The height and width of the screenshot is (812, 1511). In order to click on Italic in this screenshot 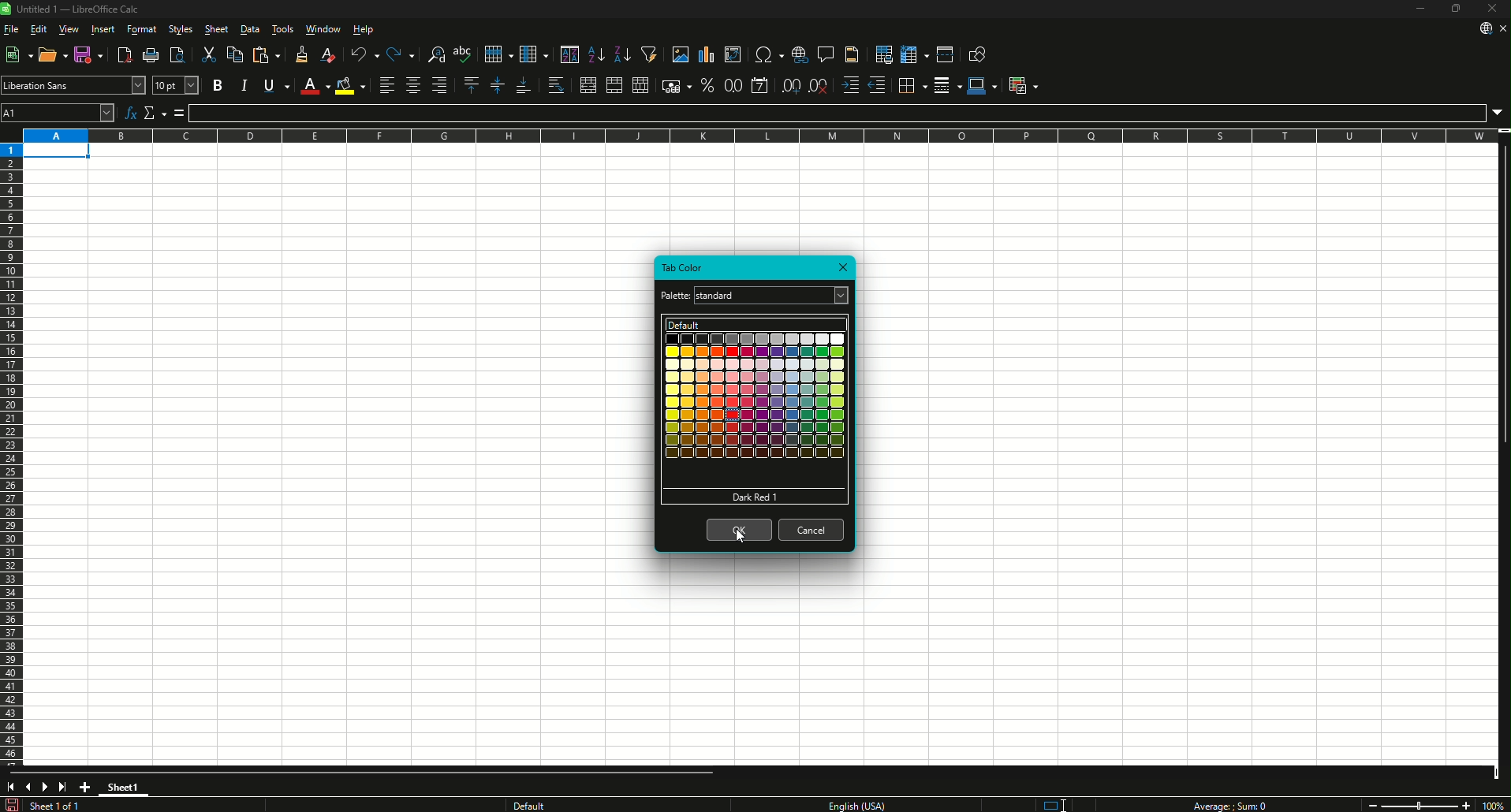, I will do `click(244, 85)`.